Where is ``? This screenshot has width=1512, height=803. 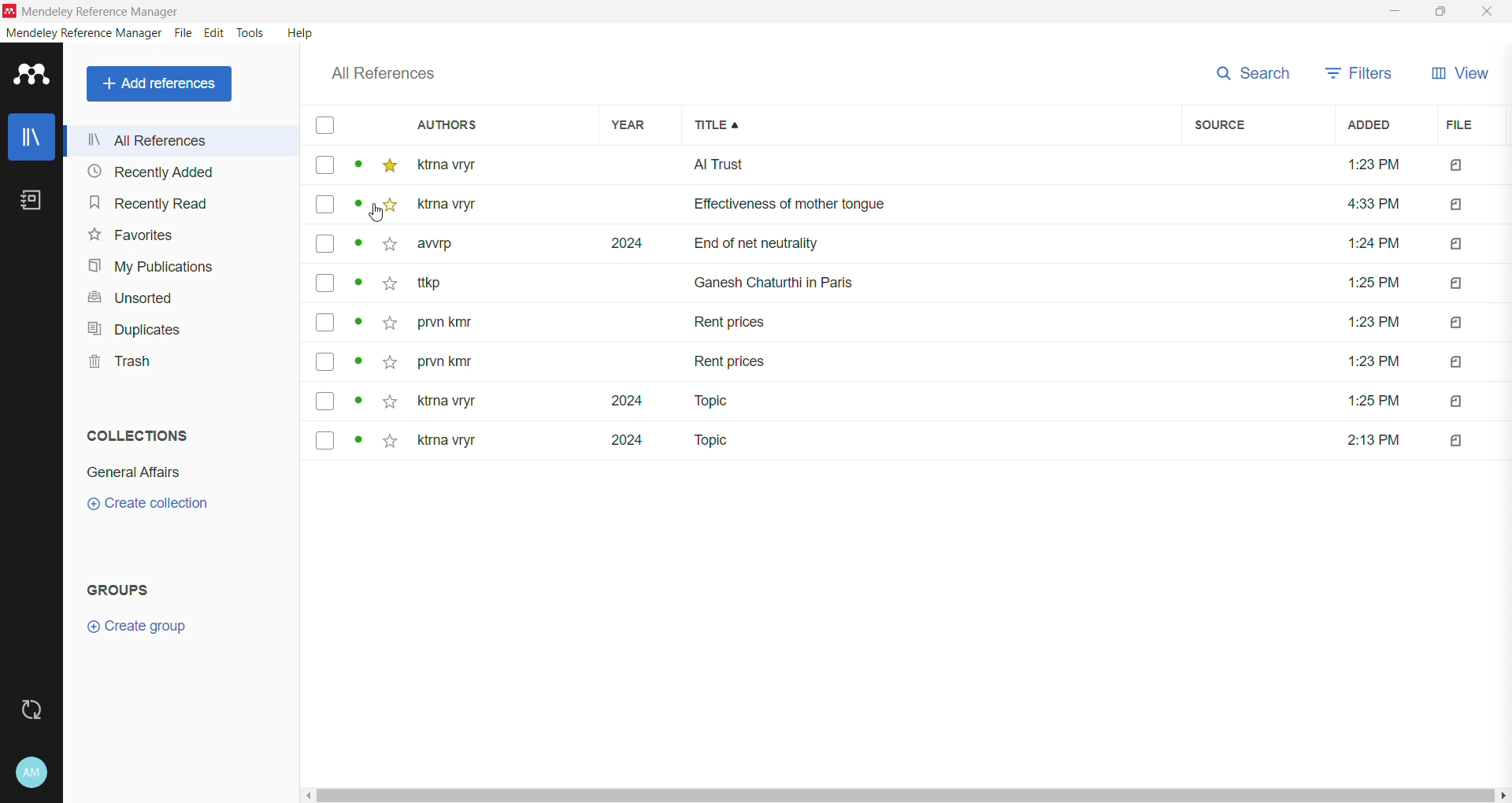
 is located at coordinates (458, 205).